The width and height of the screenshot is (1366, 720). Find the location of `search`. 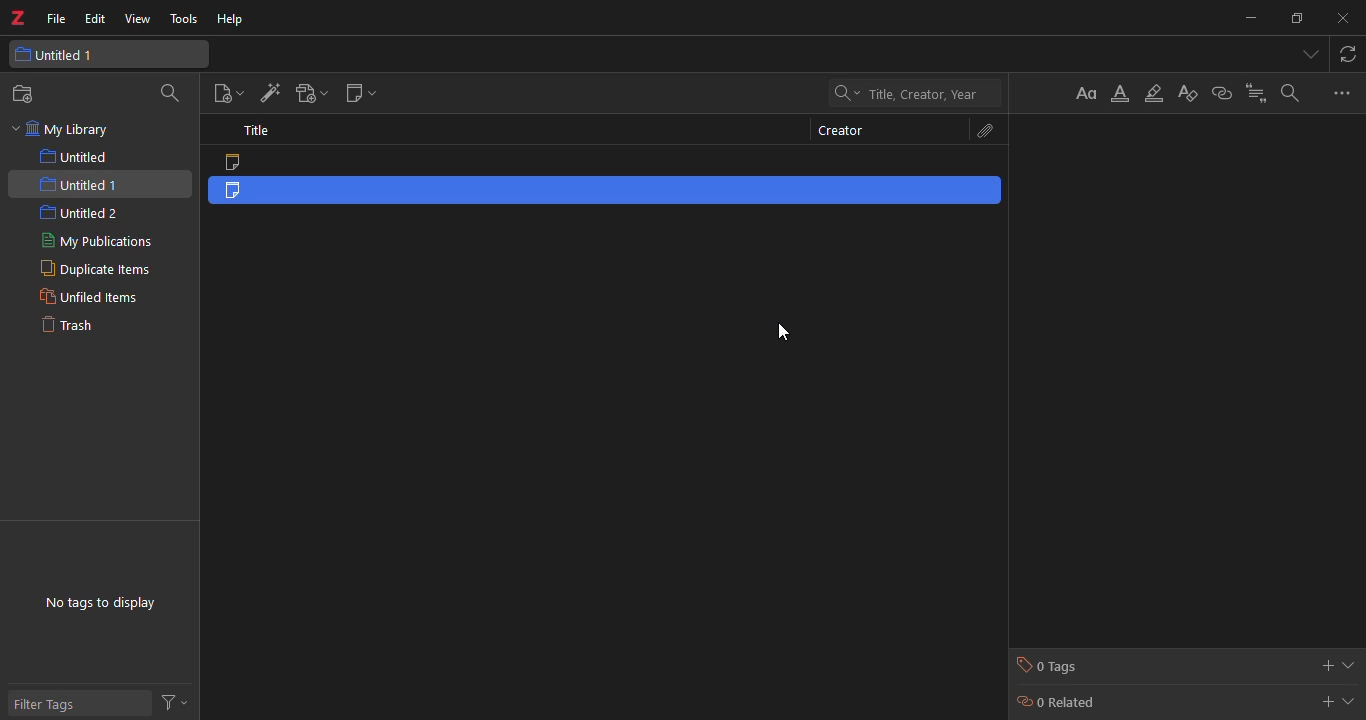

search is located at coordinates (1291, 93).